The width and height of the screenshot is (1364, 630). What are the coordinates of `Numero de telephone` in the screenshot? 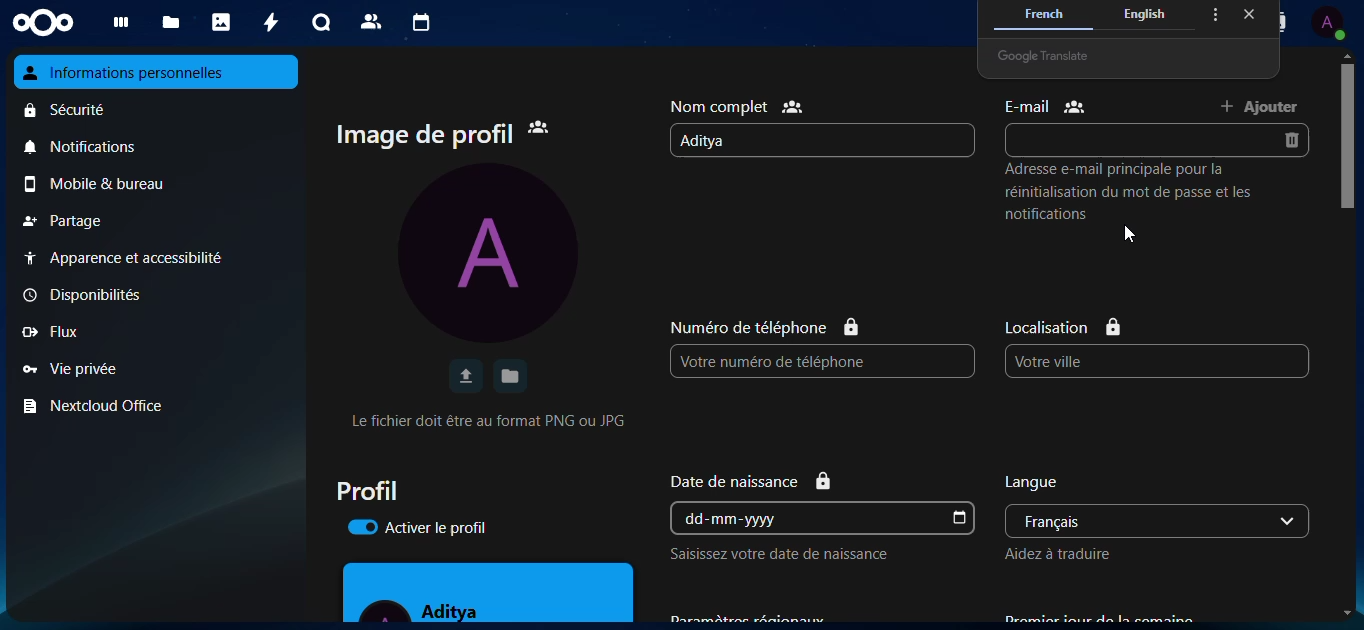 It's located at (764, 327).